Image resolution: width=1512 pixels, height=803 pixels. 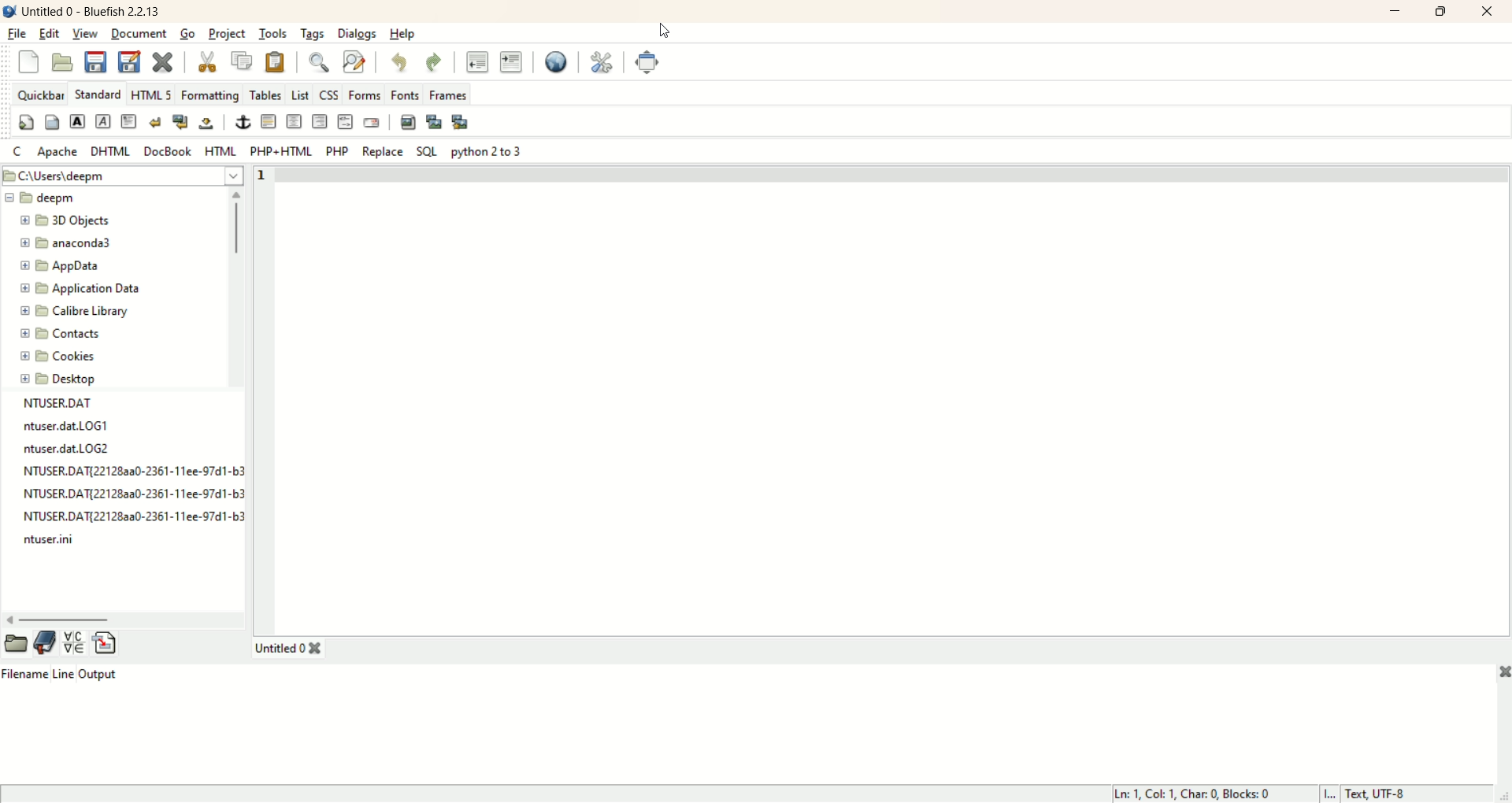 I want to click on vertical scroll bar, so click(x=235, y=309).